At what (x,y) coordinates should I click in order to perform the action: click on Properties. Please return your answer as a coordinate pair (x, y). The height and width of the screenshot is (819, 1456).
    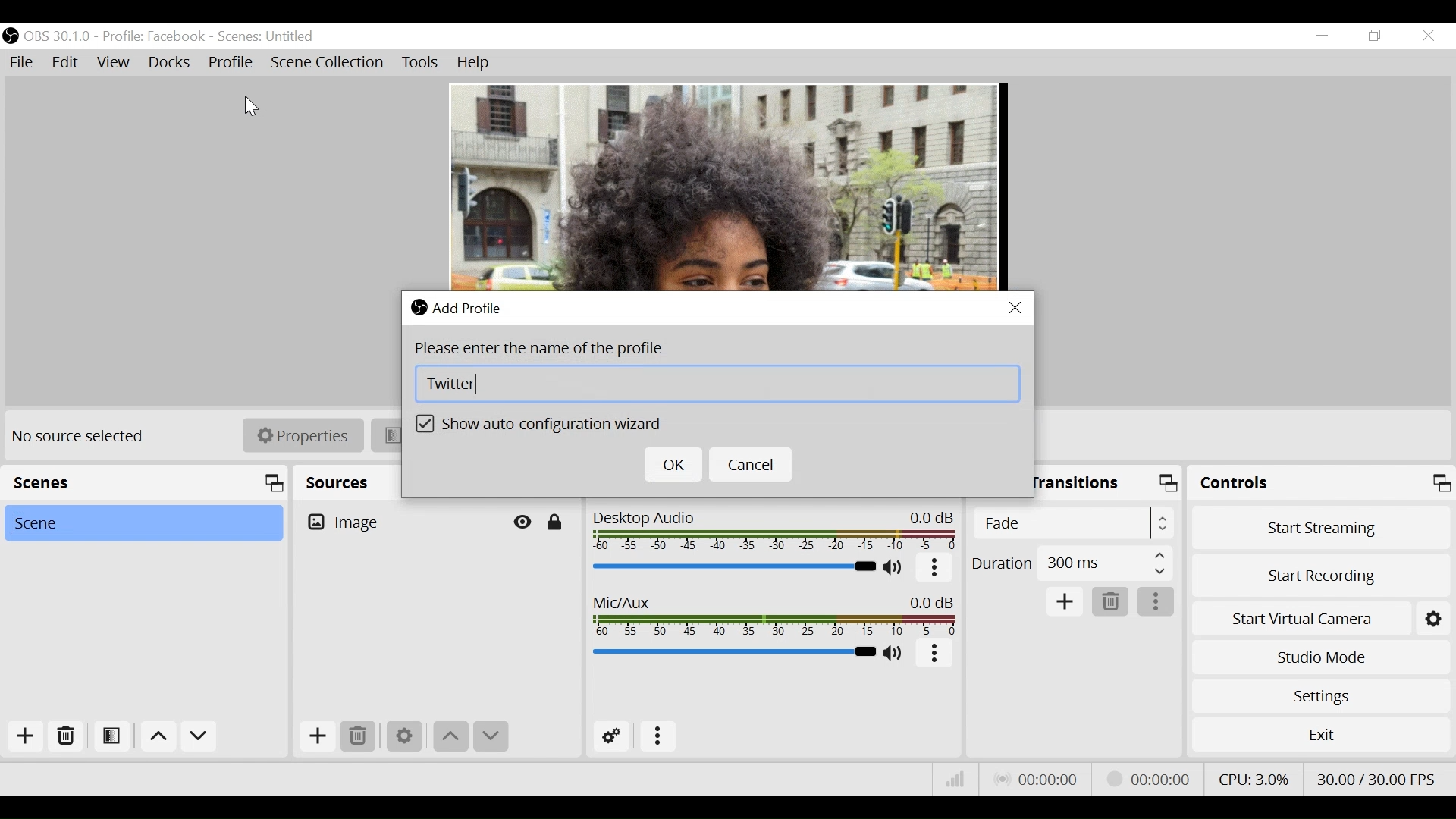
    Looking at the image, I should click on (303, 436).